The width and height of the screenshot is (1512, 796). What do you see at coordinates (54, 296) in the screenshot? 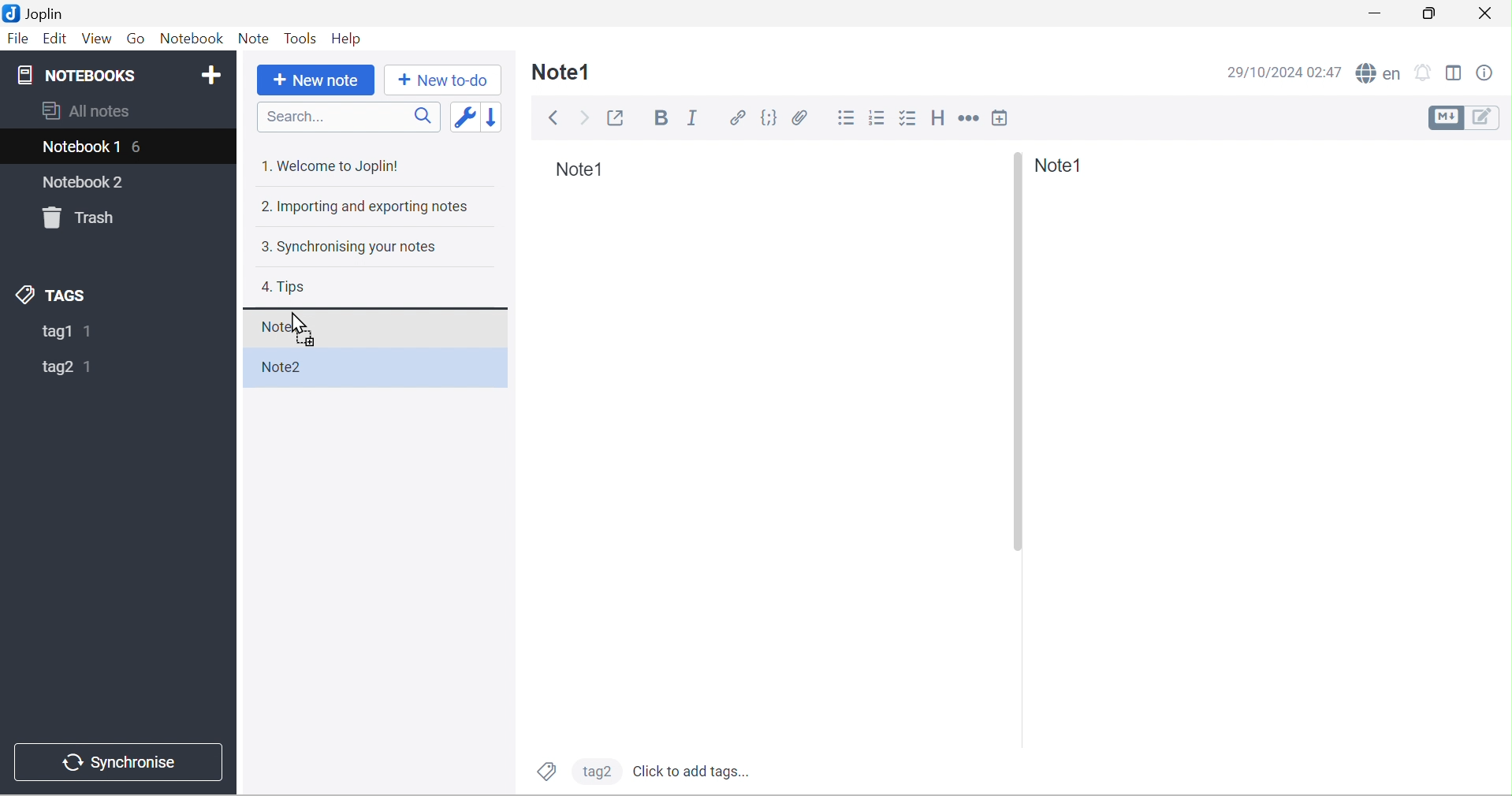
I see `TAGS` at bounding box center [54, 296].